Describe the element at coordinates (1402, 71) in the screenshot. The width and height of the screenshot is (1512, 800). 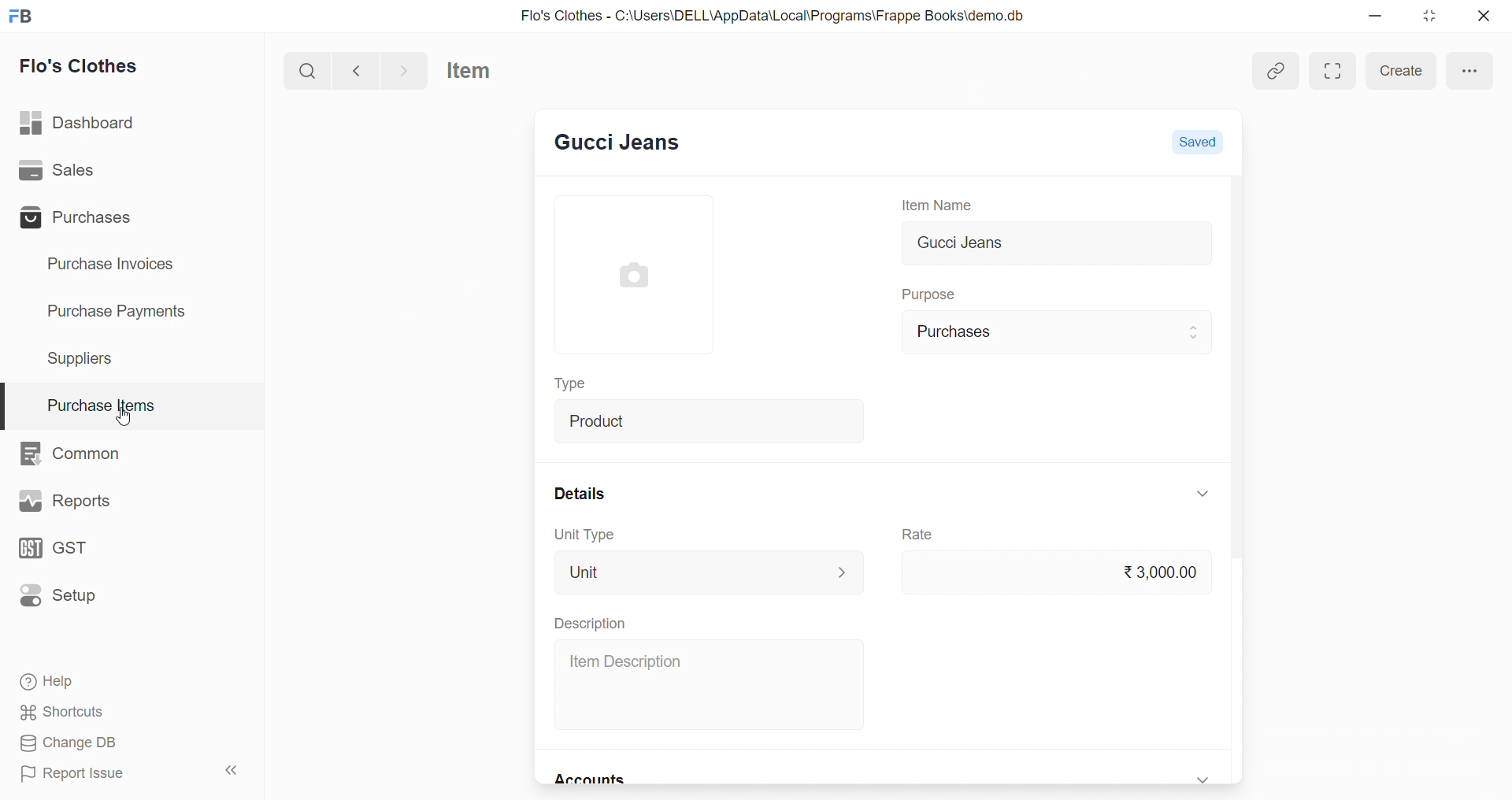
I see `Create` at that location.